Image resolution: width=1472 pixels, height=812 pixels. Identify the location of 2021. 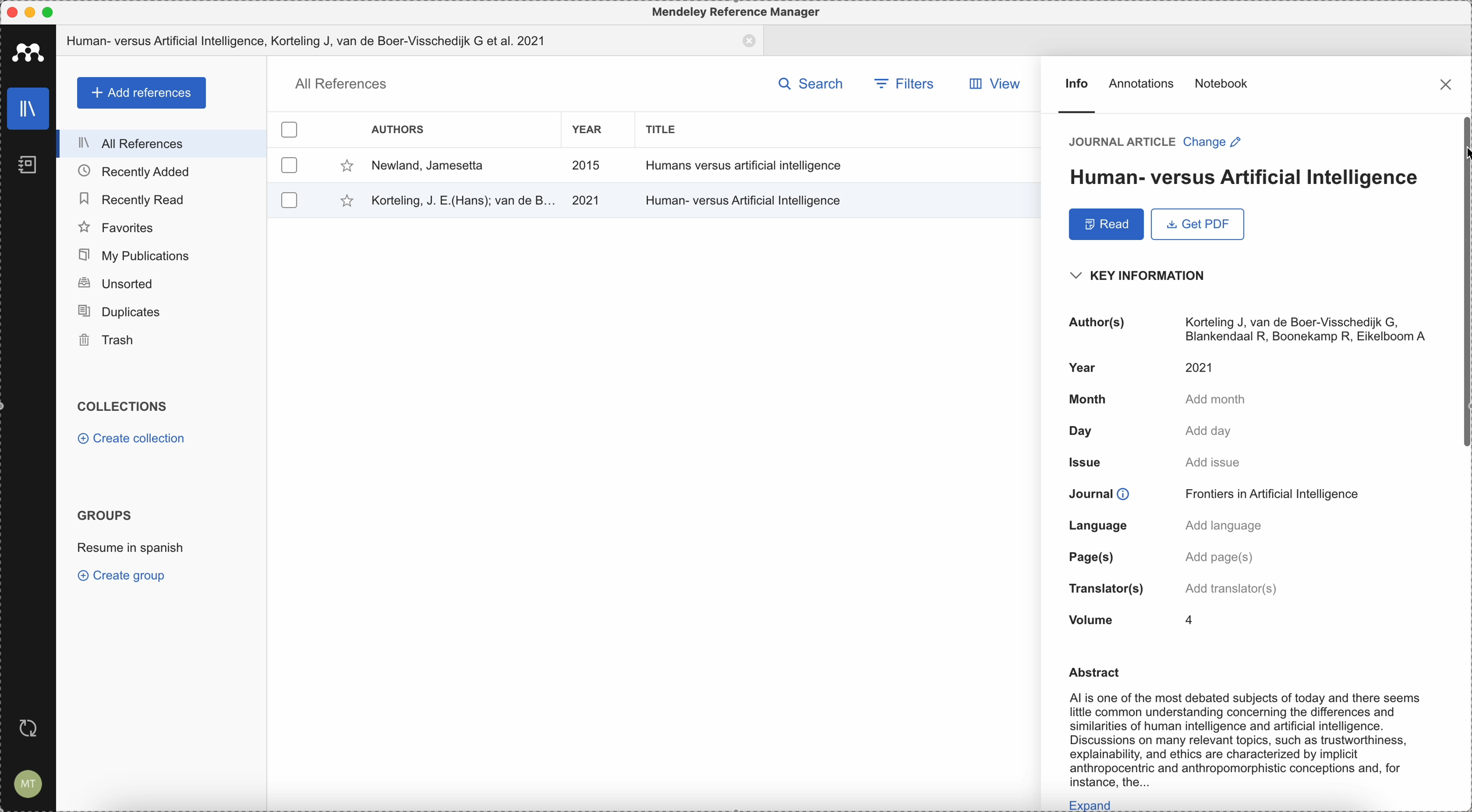
(586, 201).